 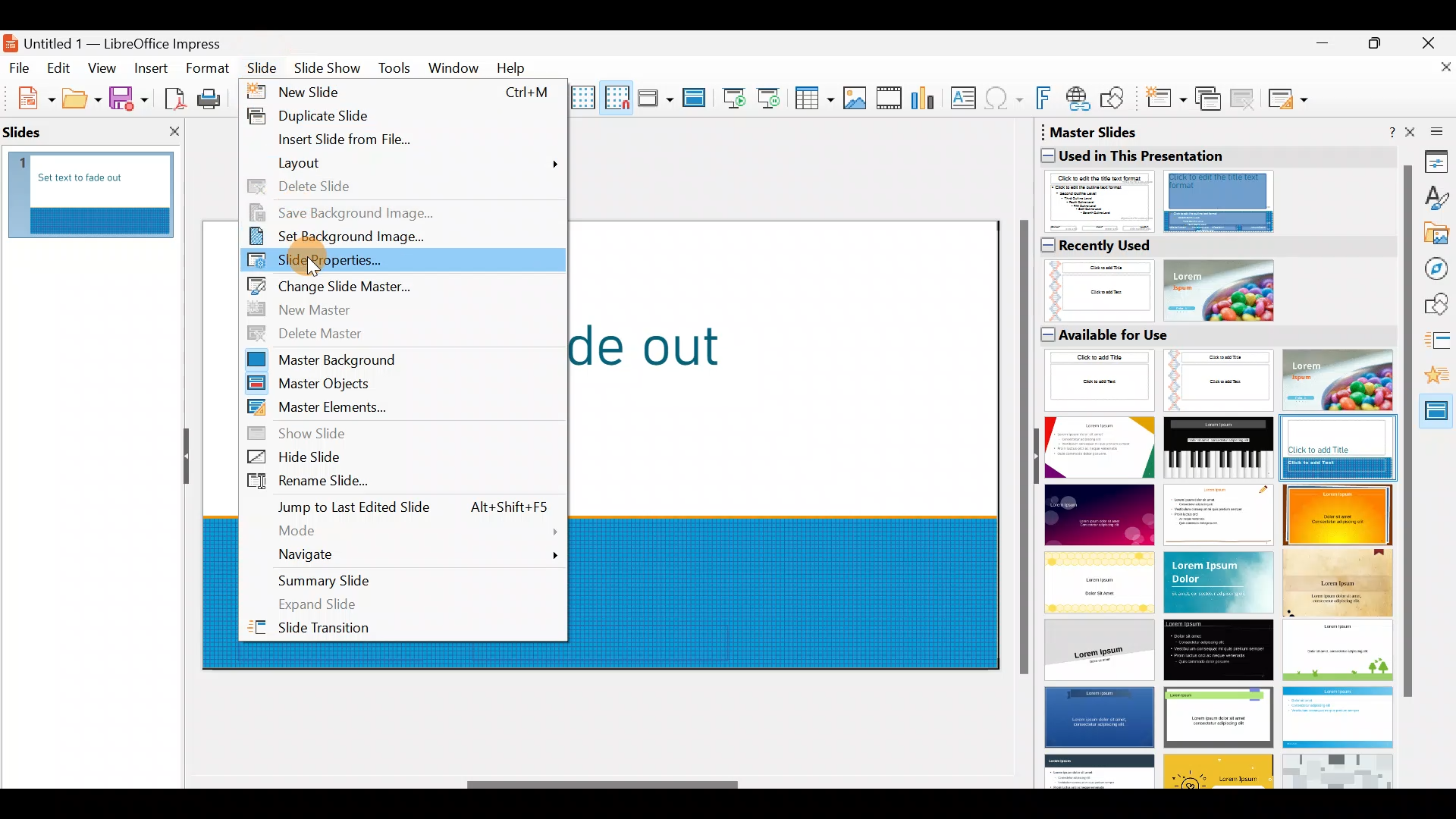 What do you see at coordinates (1407, 434) in the screenshot?
I see `scroll bar` at bounding box center [1407, 434].